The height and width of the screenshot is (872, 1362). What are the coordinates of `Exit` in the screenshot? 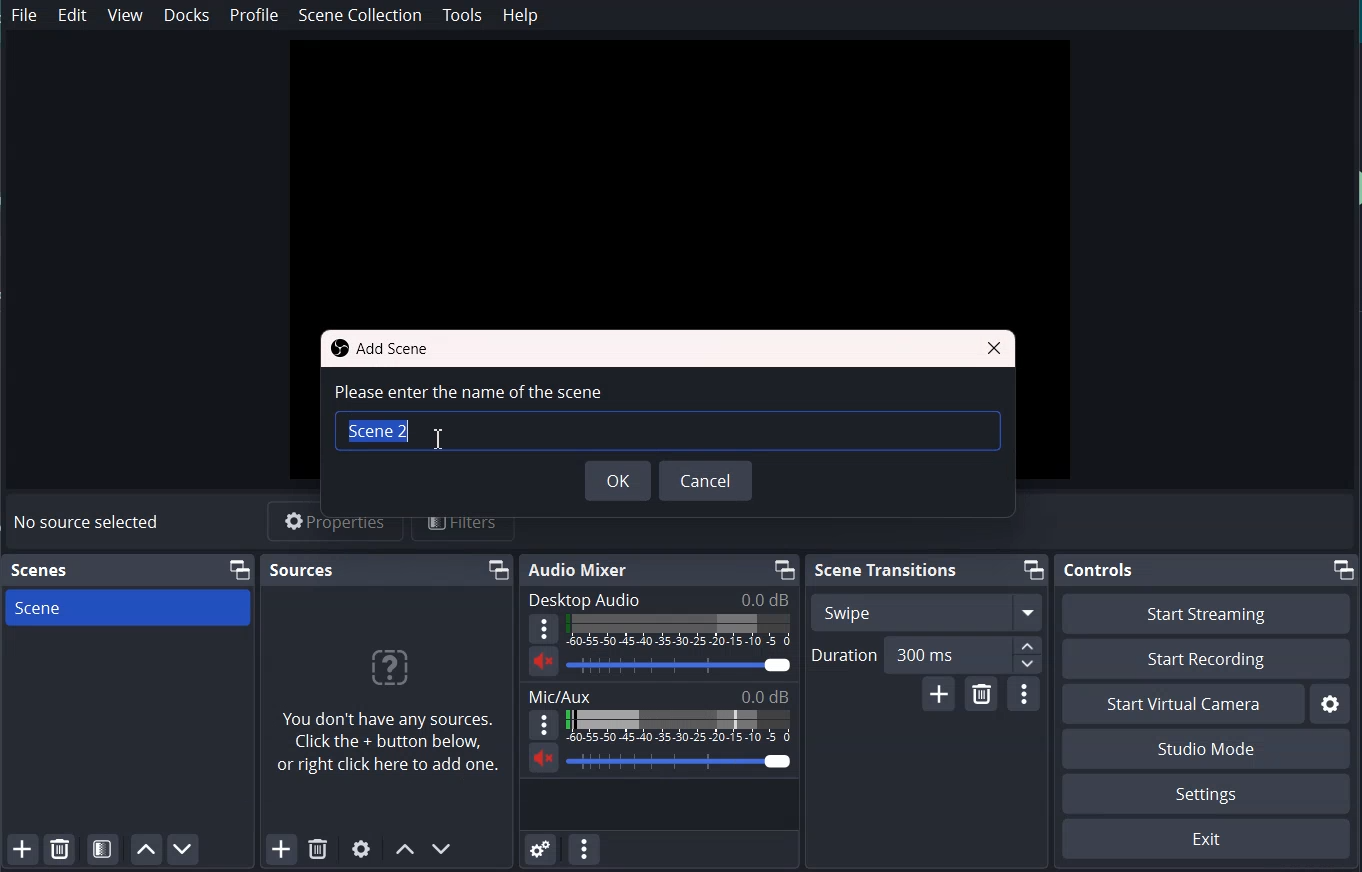 It's located at (1207, 838).